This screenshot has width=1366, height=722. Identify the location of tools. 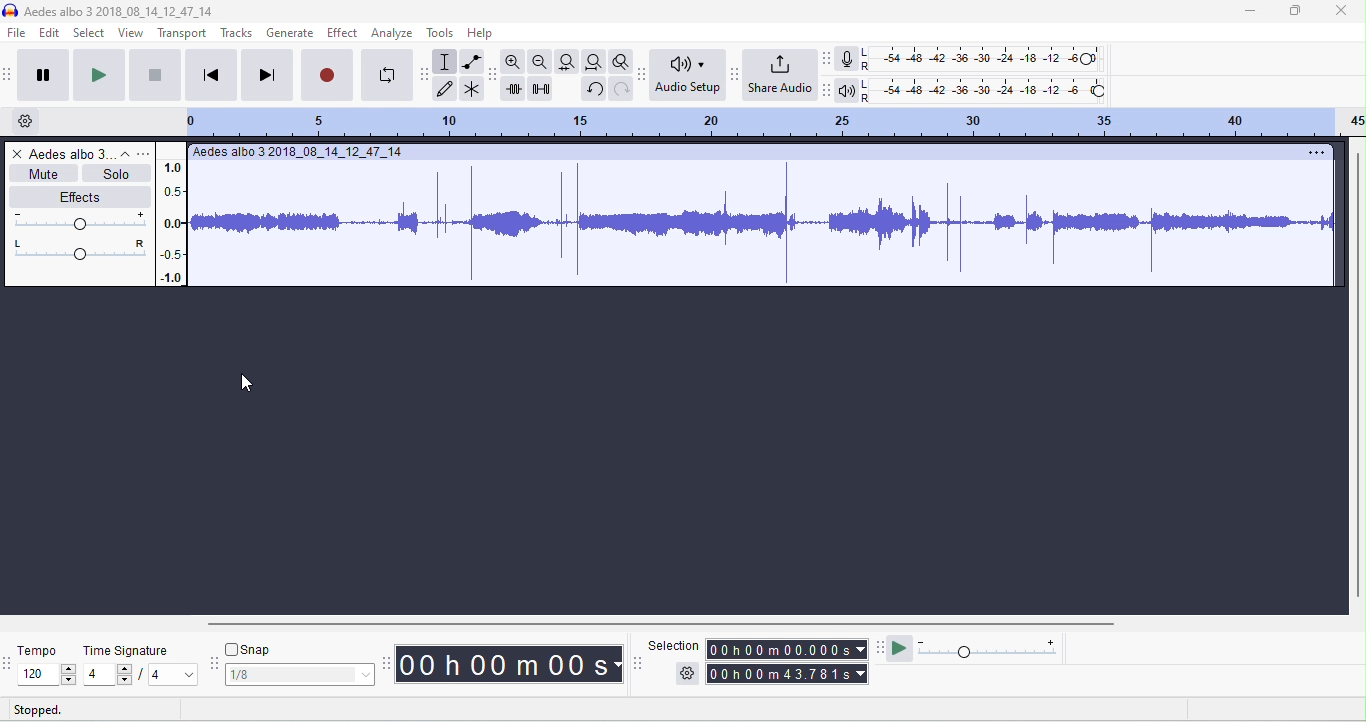
(441, 33).